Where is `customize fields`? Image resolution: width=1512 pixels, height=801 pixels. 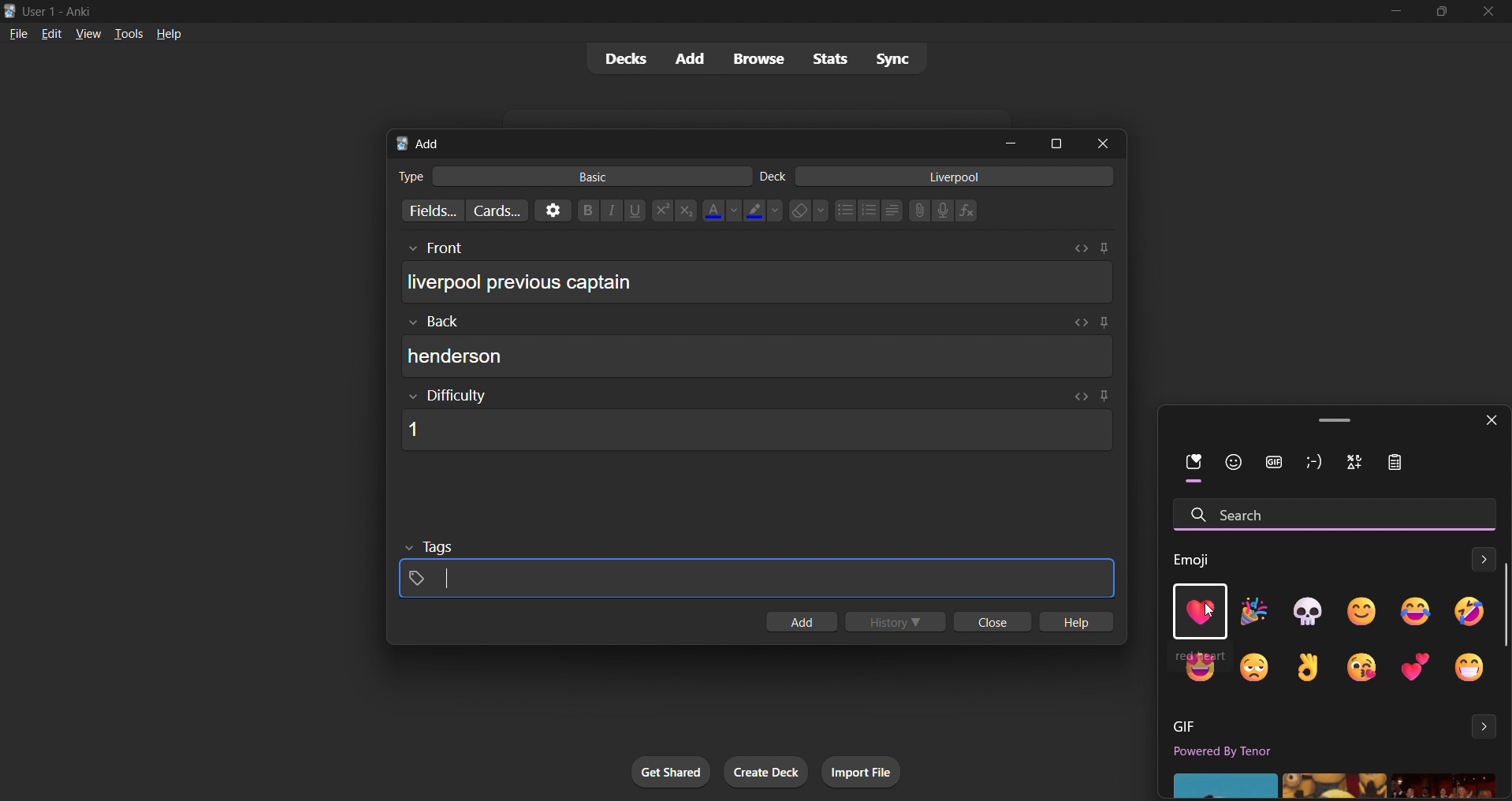
customize fields is located at coordinates (425, 212).